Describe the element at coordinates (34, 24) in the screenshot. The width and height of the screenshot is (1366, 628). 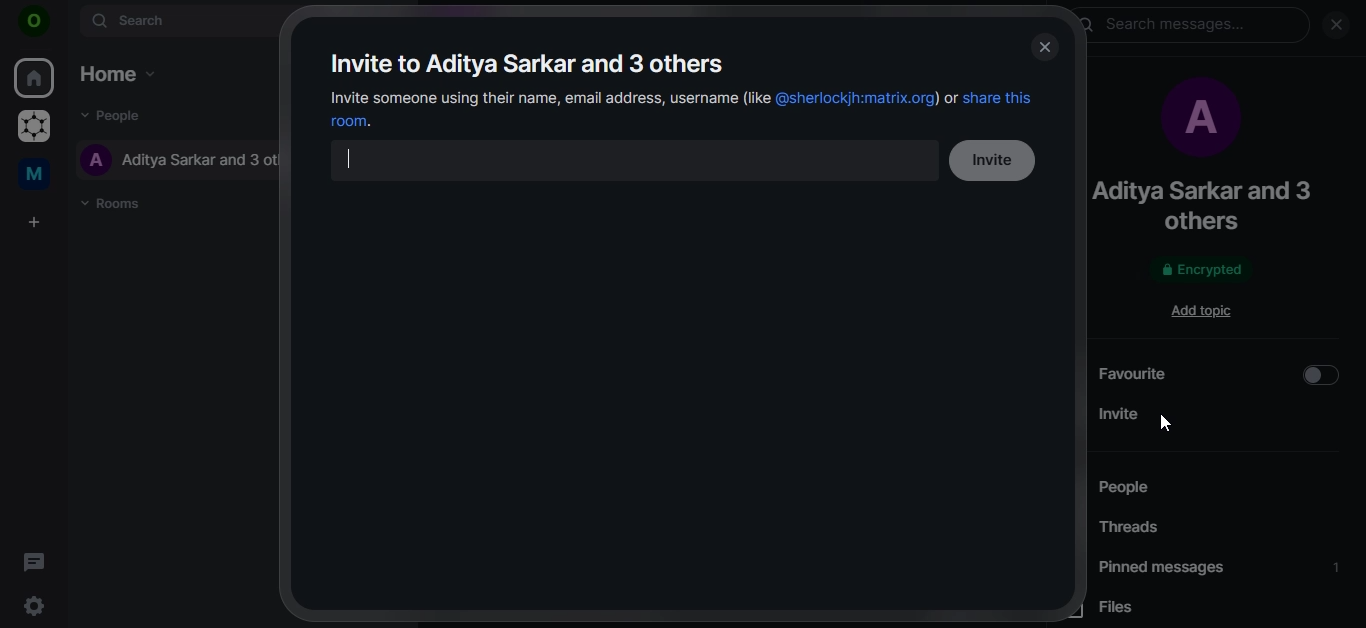
I see `icon` at that location.